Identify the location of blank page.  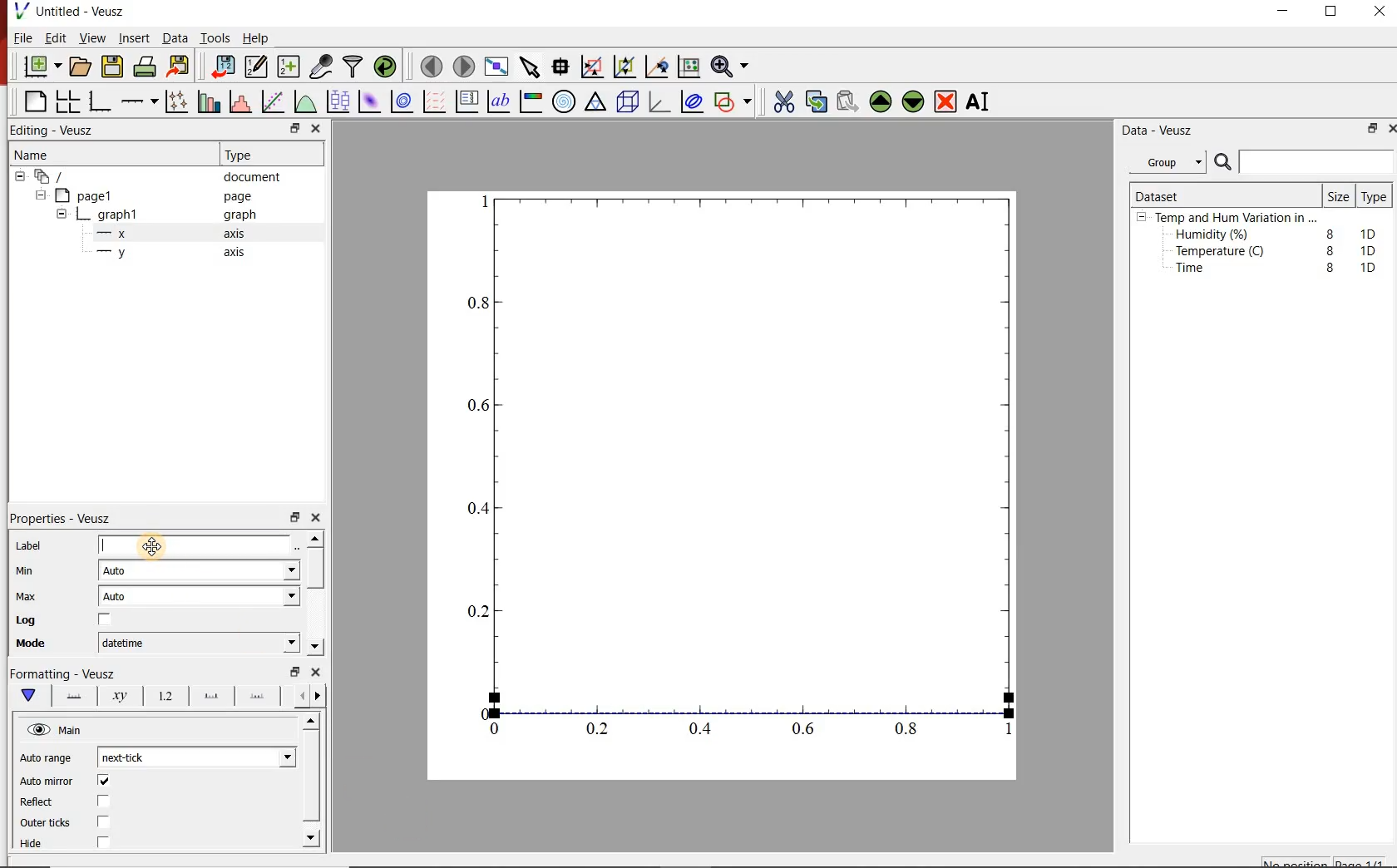
(33, 100).